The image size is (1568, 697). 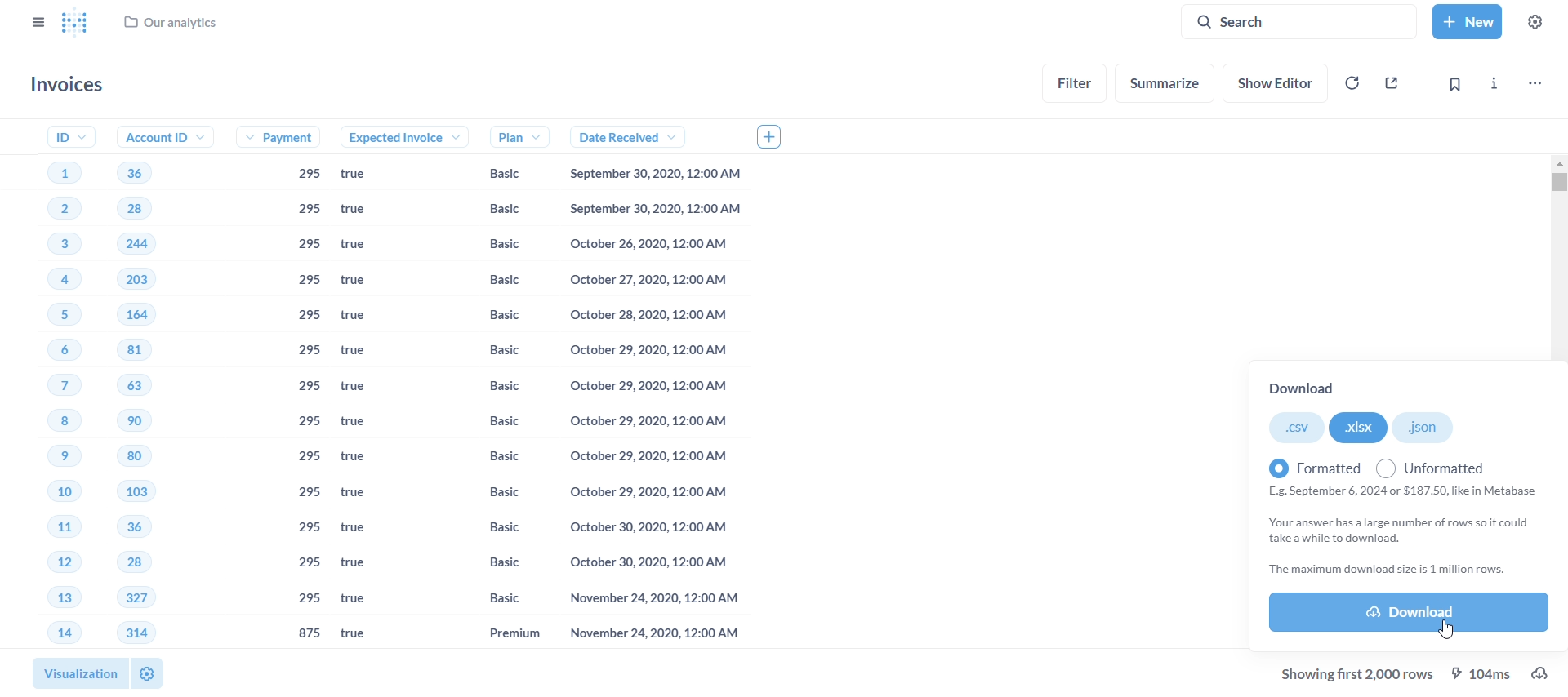 I want to click on Basic, so click(x=497, y=208).